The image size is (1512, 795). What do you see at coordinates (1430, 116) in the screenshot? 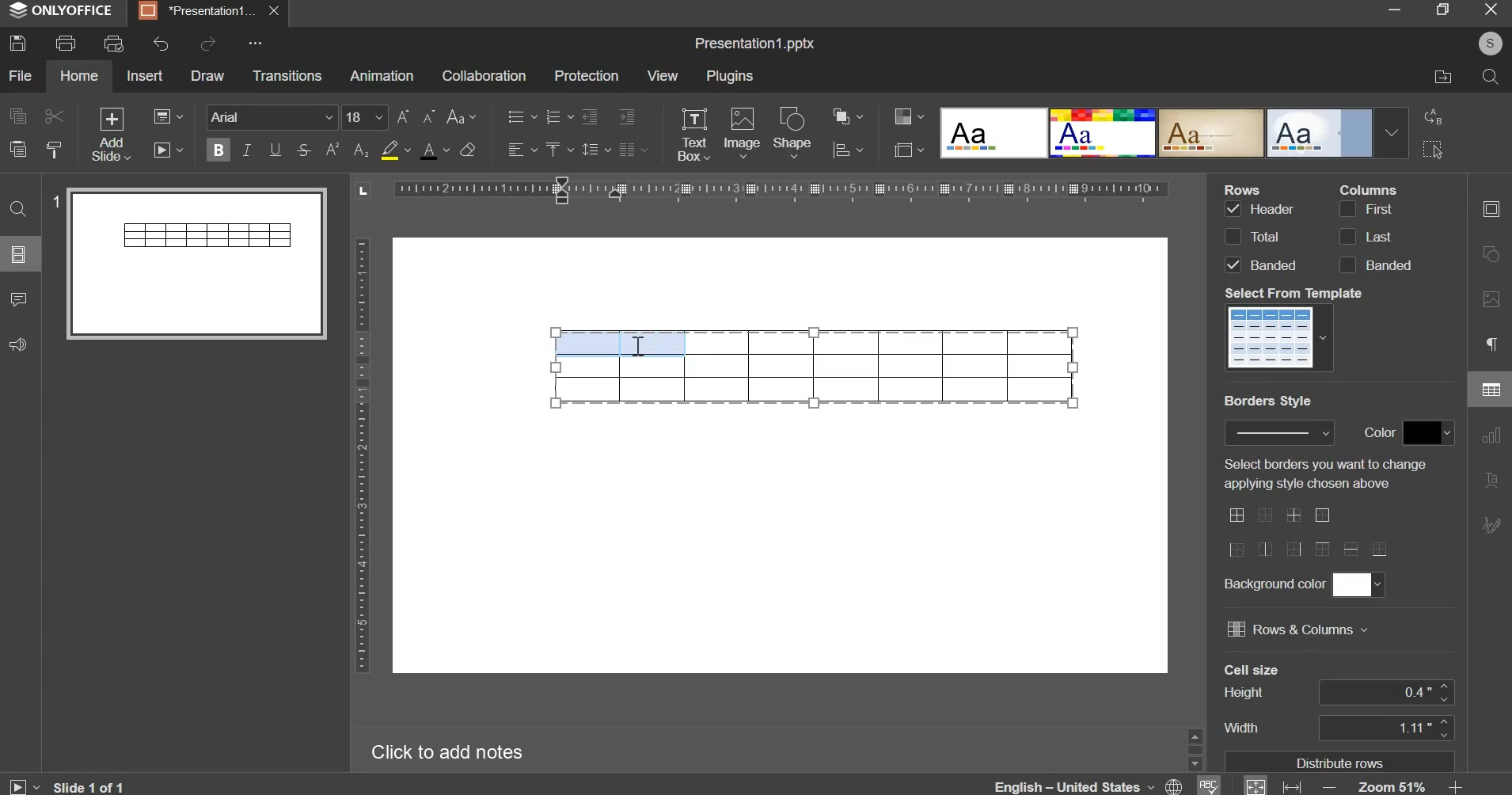
I see `replace` at bounding box center [1430, 116].